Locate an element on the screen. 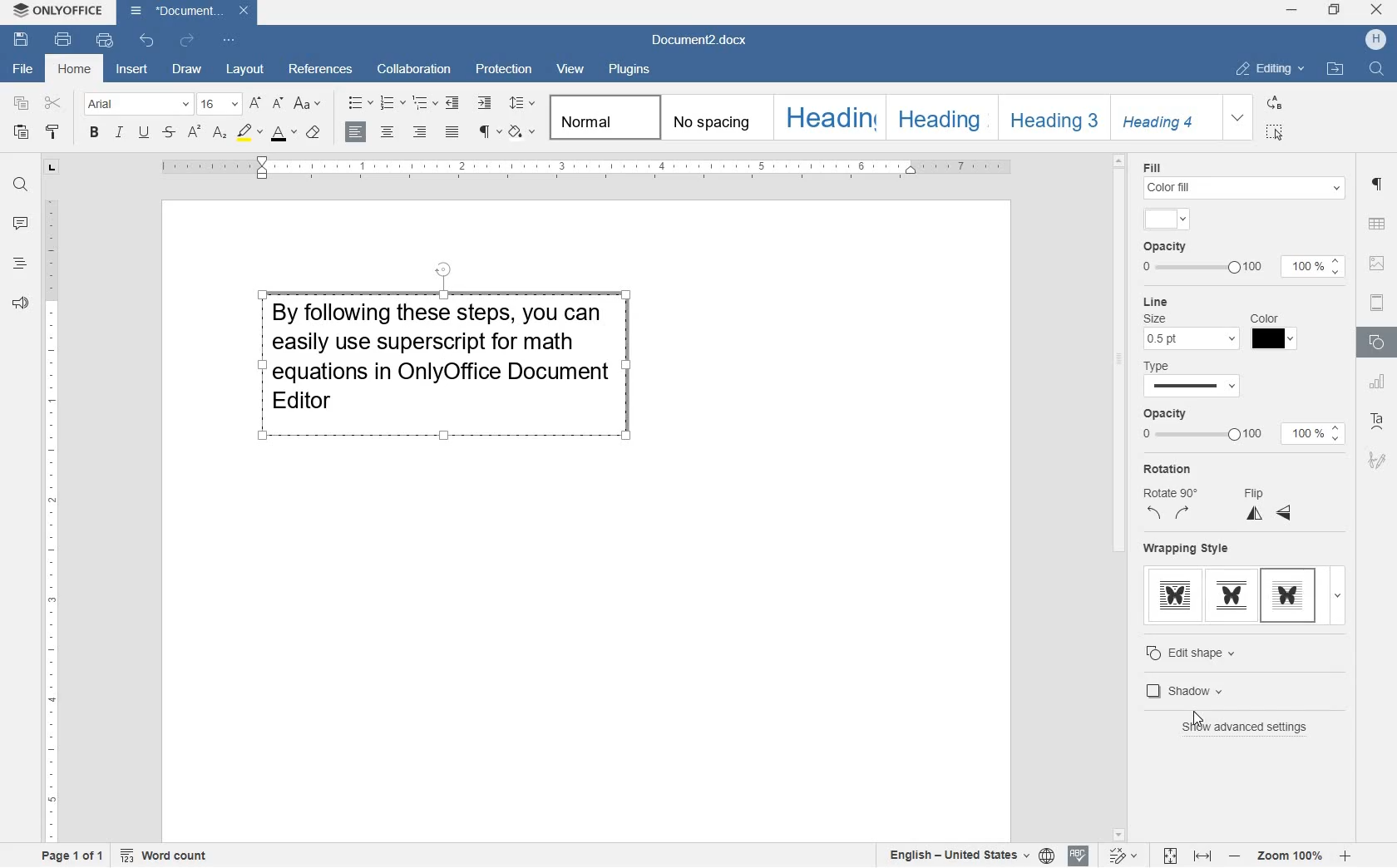 The height and width of the screenshot is (868, 1397). paragraph settings is located at coordinates (1377, 185).